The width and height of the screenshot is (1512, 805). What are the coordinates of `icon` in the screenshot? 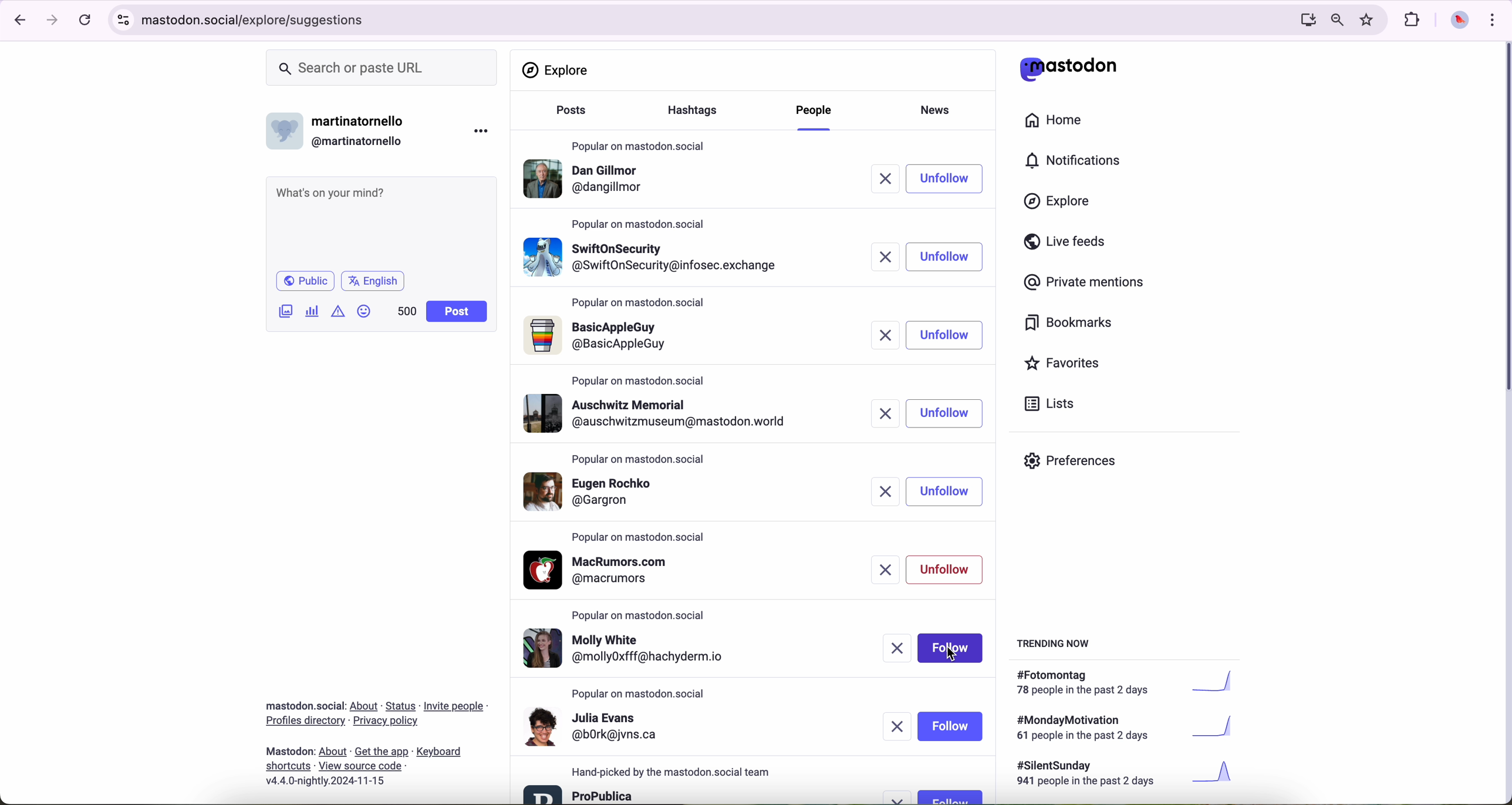 It's located at (339, 311).